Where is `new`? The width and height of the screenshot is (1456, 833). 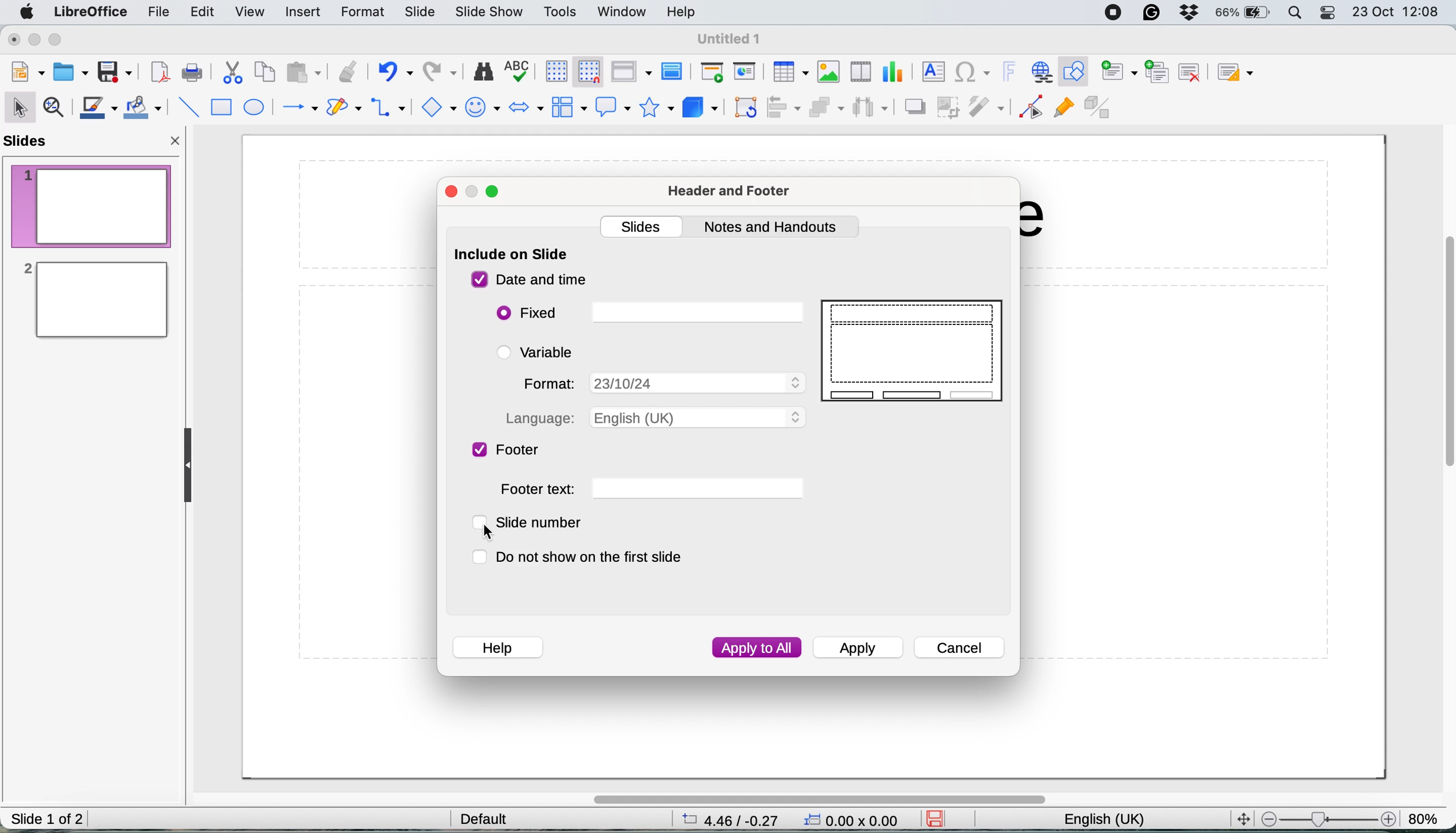 new is located at coordinates (29, 73).